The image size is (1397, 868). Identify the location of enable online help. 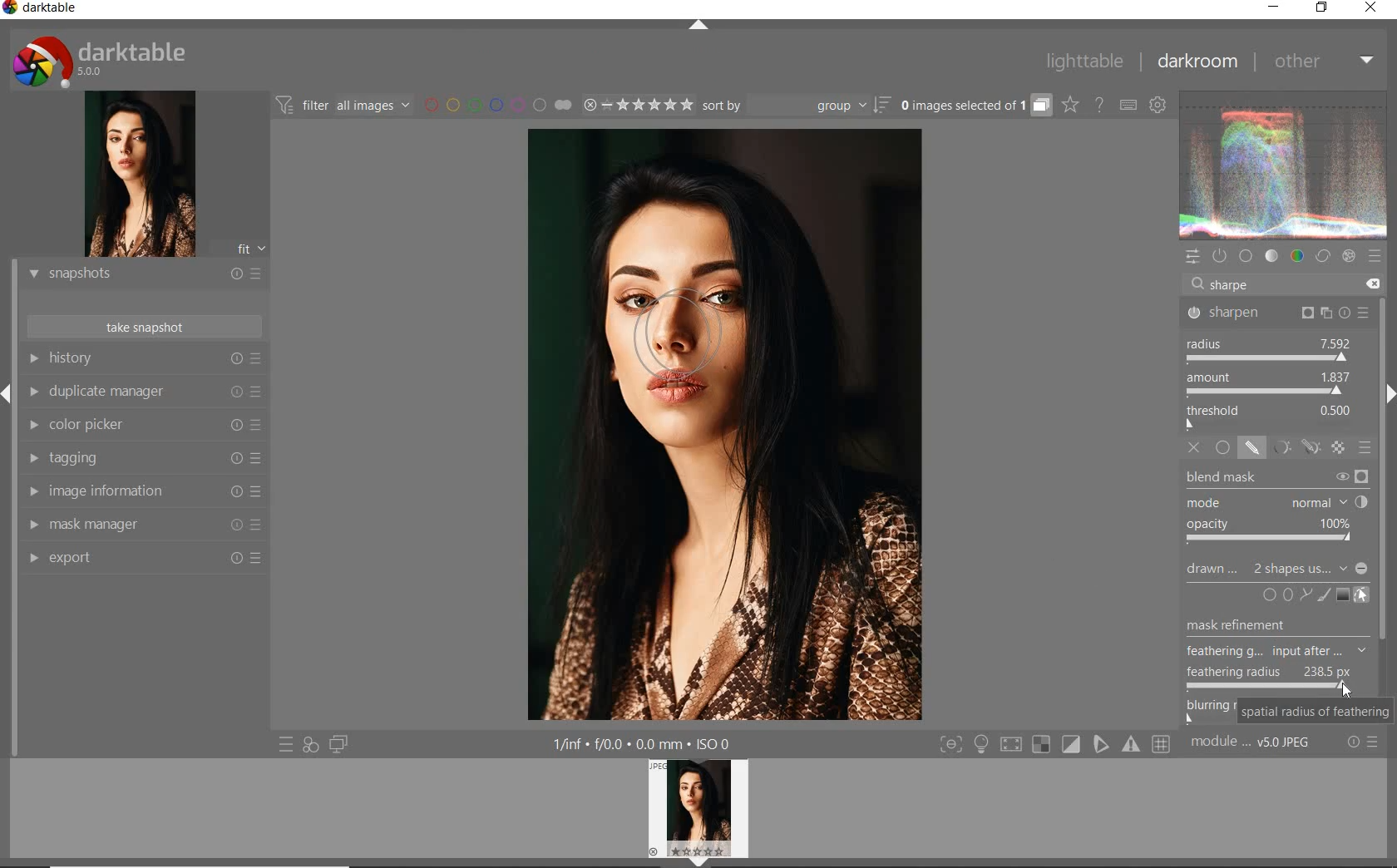
(1098, 104).